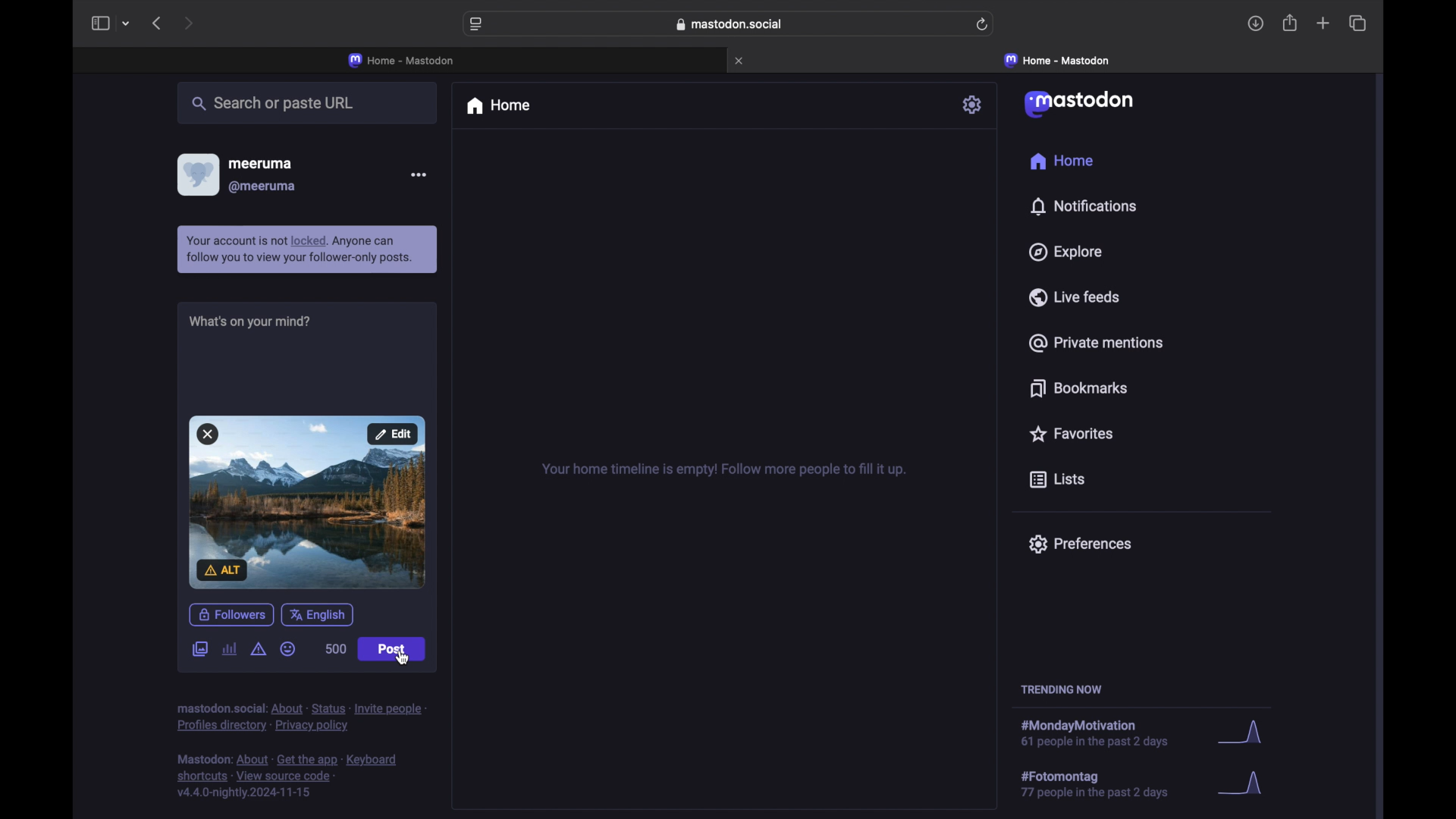 The image size is (1456, 819). Describe the element at coordinates (1066, 252) in the screenshot. I see `explore` at that location.